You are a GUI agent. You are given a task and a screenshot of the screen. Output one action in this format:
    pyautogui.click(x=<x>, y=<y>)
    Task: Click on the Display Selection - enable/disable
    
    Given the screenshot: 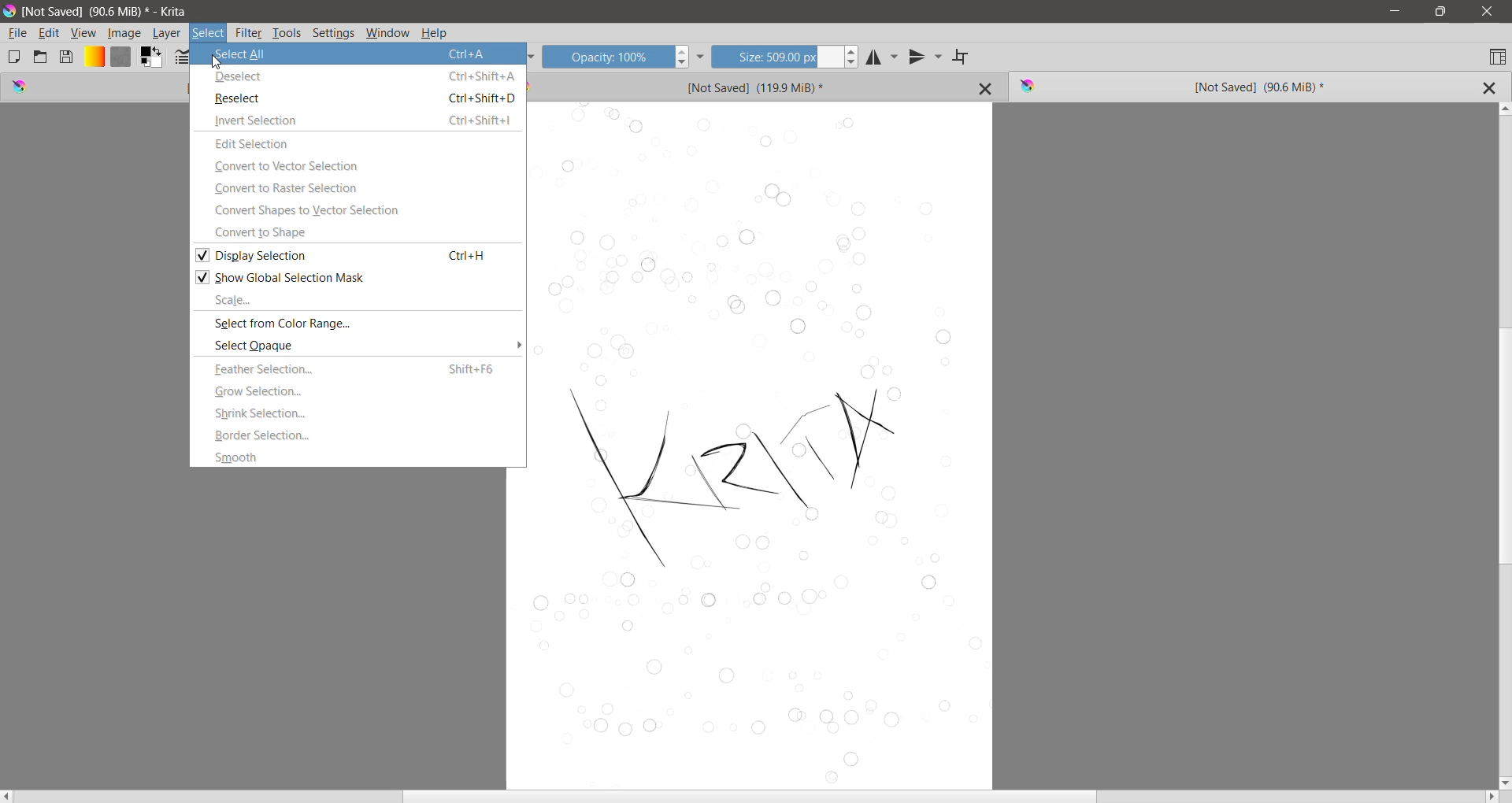 What is the action you would take?
    pyautogui.click(x=357, y=254)
    